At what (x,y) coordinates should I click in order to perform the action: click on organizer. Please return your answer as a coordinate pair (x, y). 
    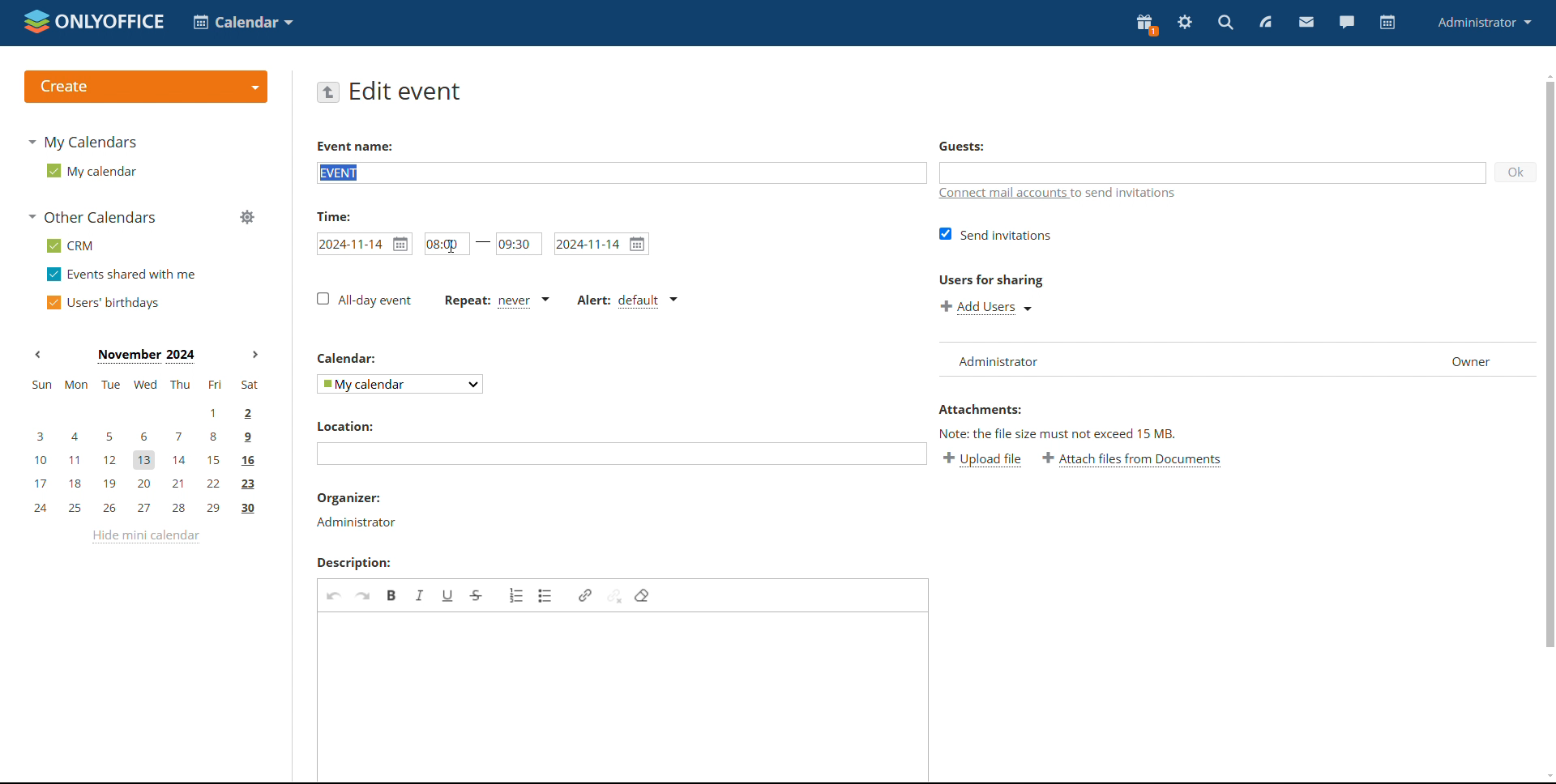
    Looking at the image, I should click on (354, 510).